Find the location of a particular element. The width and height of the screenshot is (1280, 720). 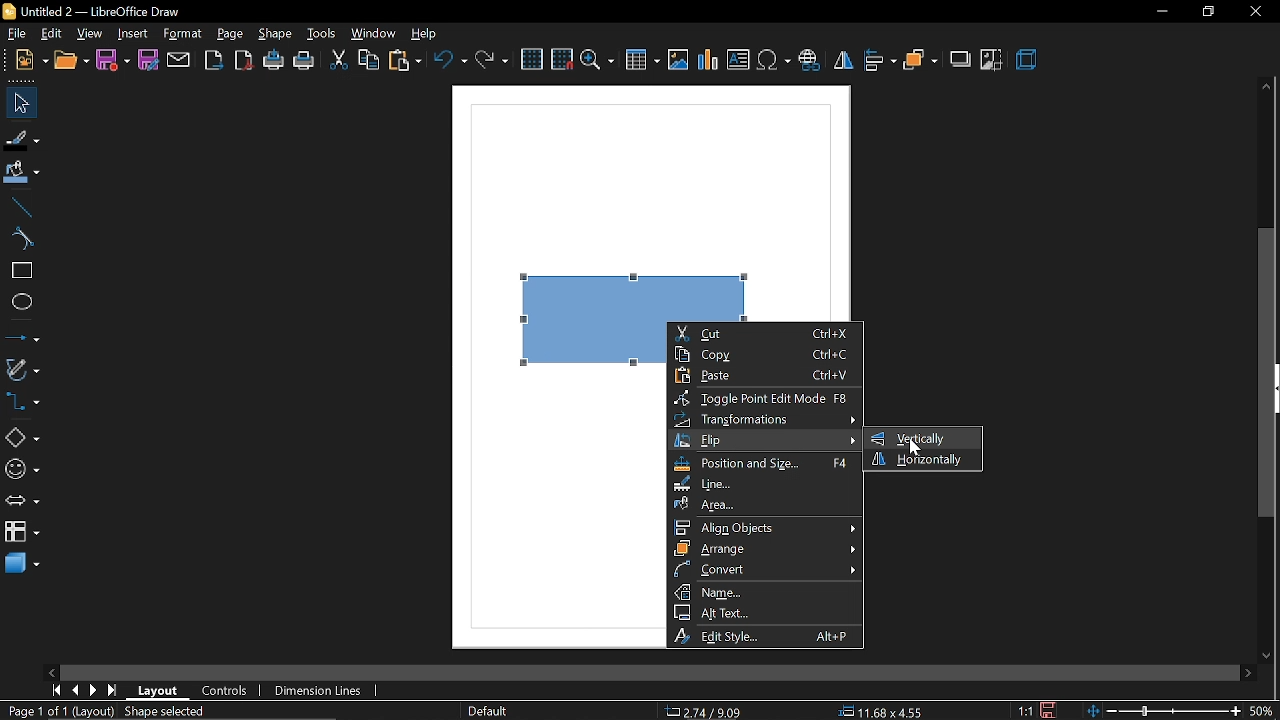

edit style is located at coordinates (768, 635).